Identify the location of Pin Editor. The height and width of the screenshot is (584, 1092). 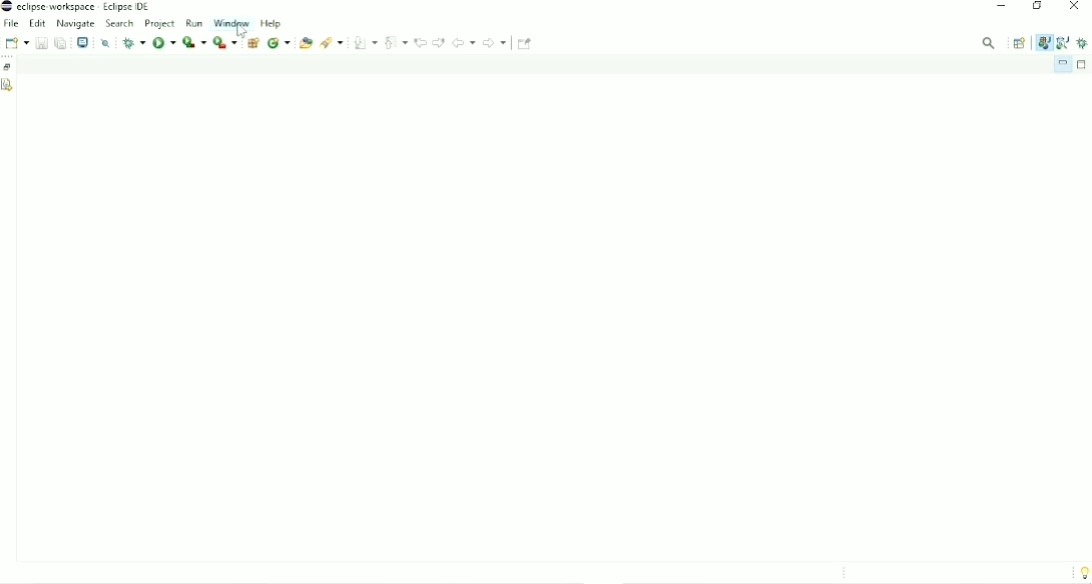
(525, 43).